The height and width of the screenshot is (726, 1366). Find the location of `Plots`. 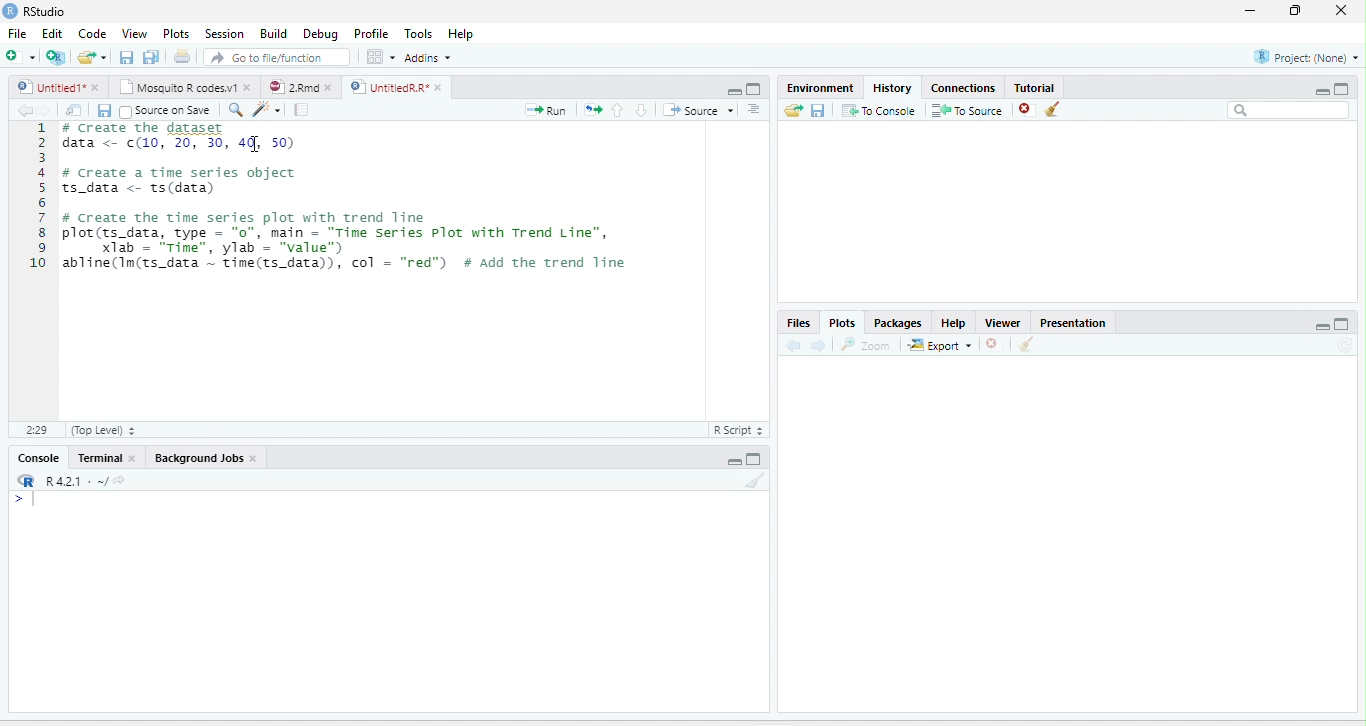

Plots is located at coordinates (841, 323).